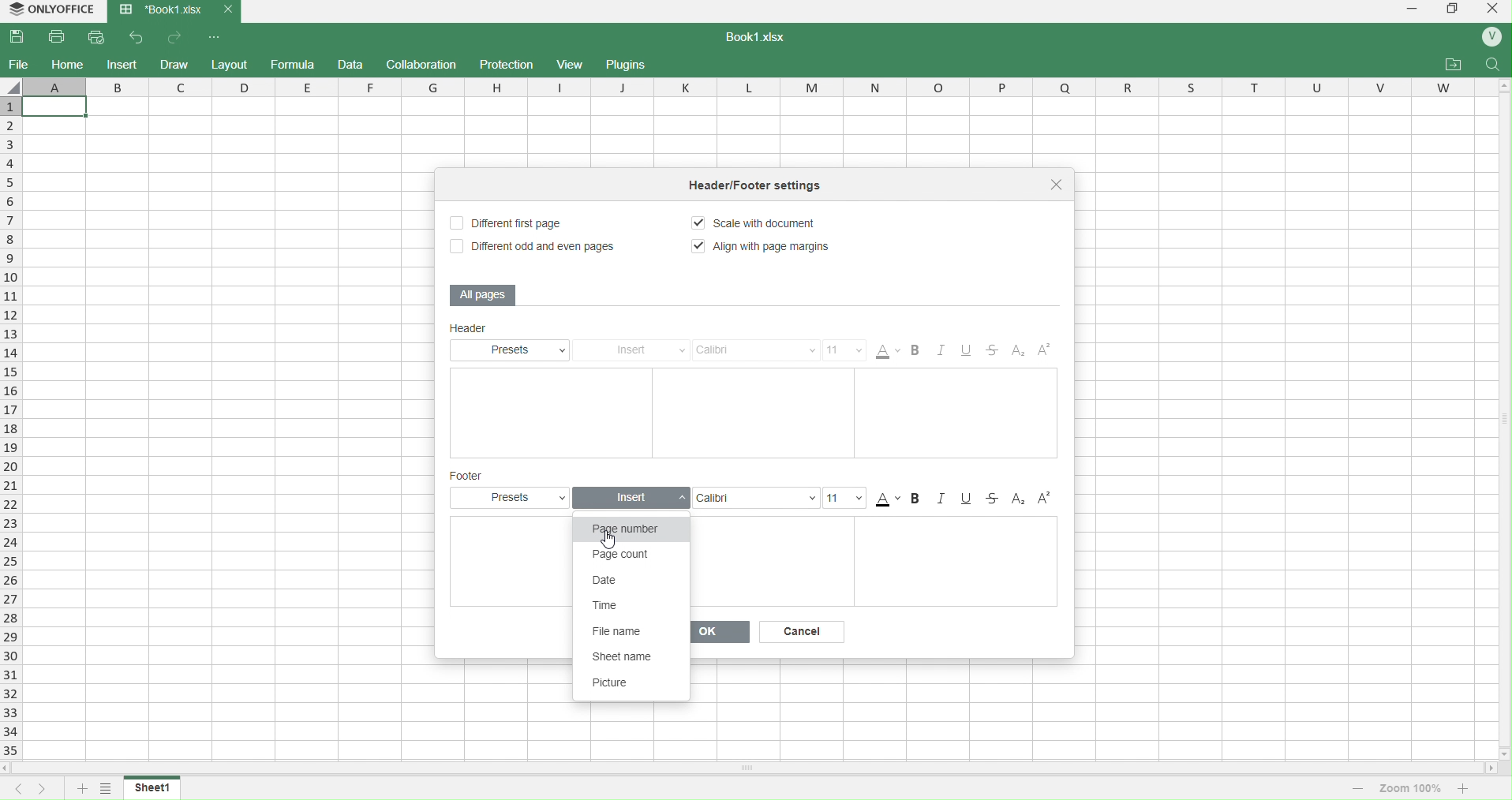 This screenshot has width=1512, height=800. I want to click on collaboration, so click(424, 64).